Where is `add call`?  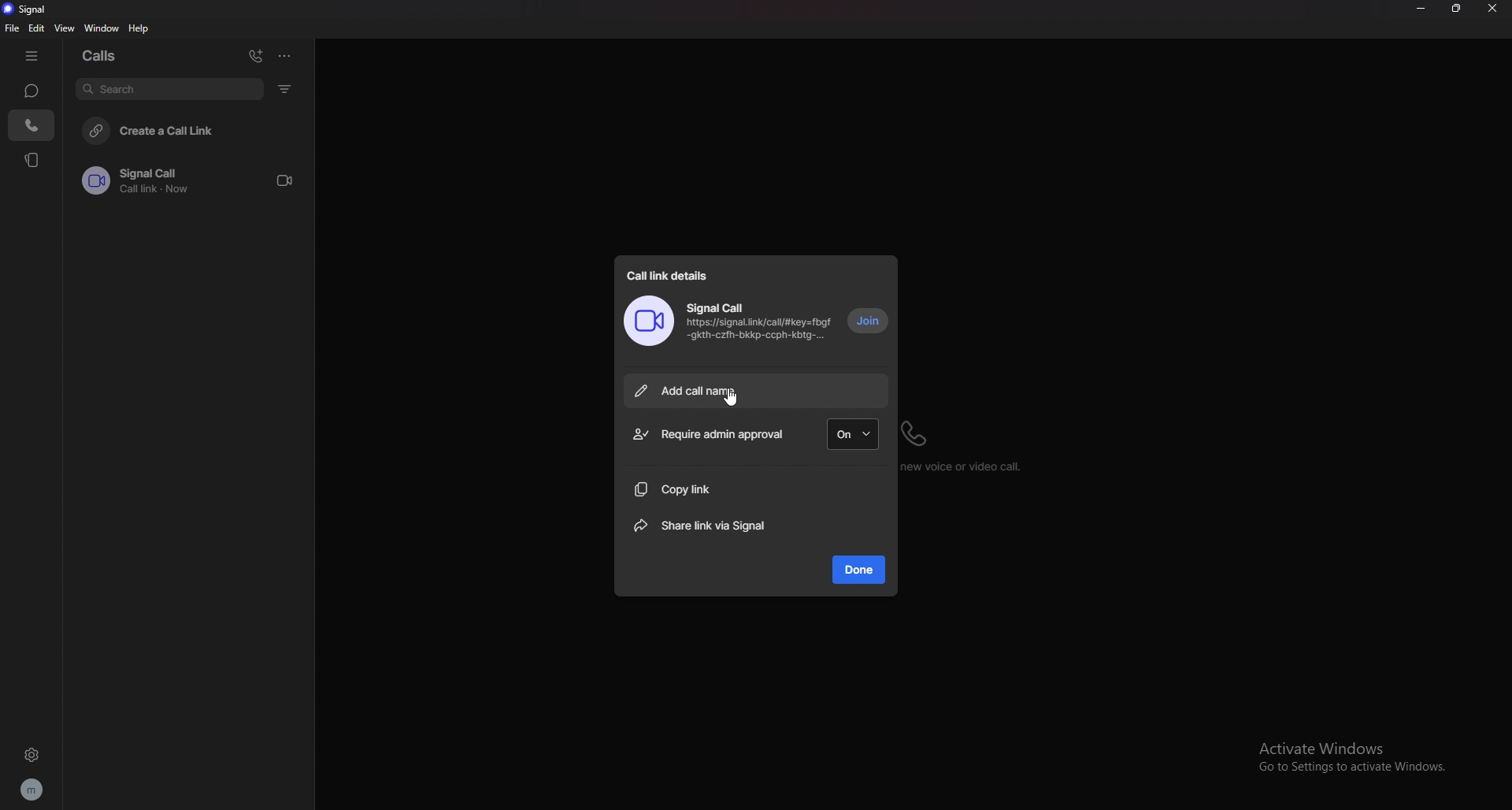 add call is located at coordinates (256, 56).